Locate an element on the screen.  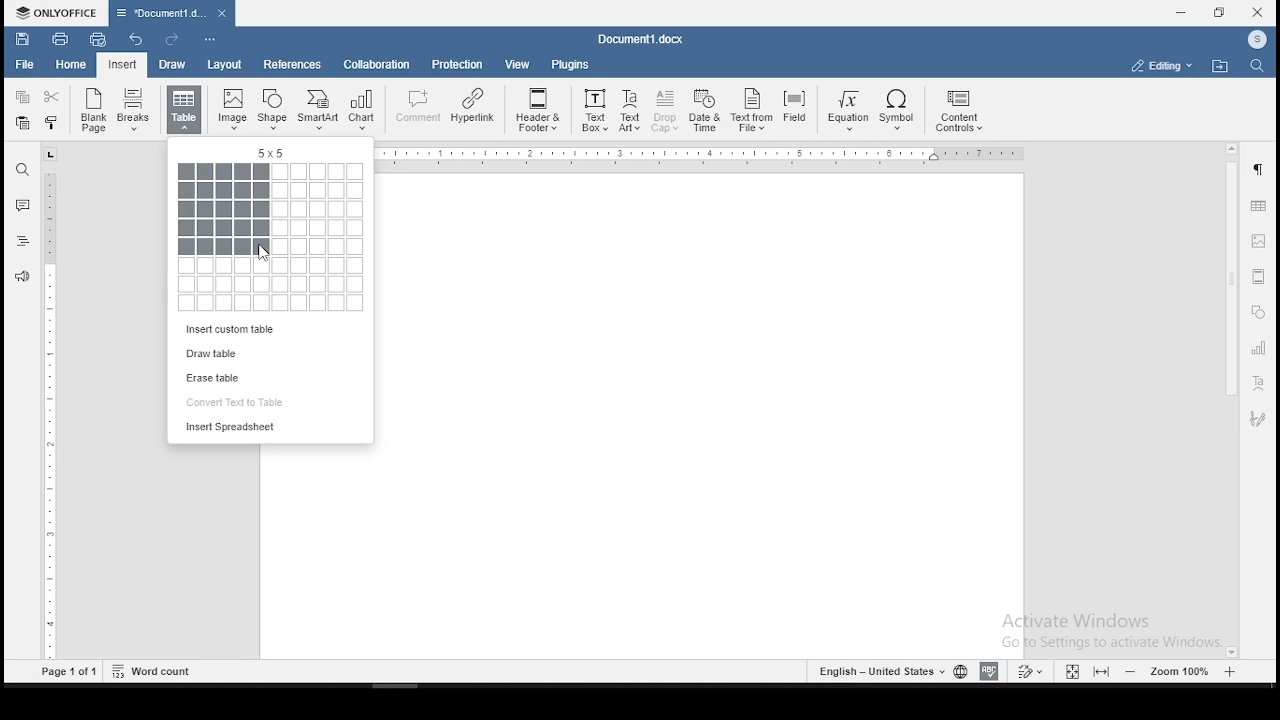
languages is located at coordinates (889, 670).